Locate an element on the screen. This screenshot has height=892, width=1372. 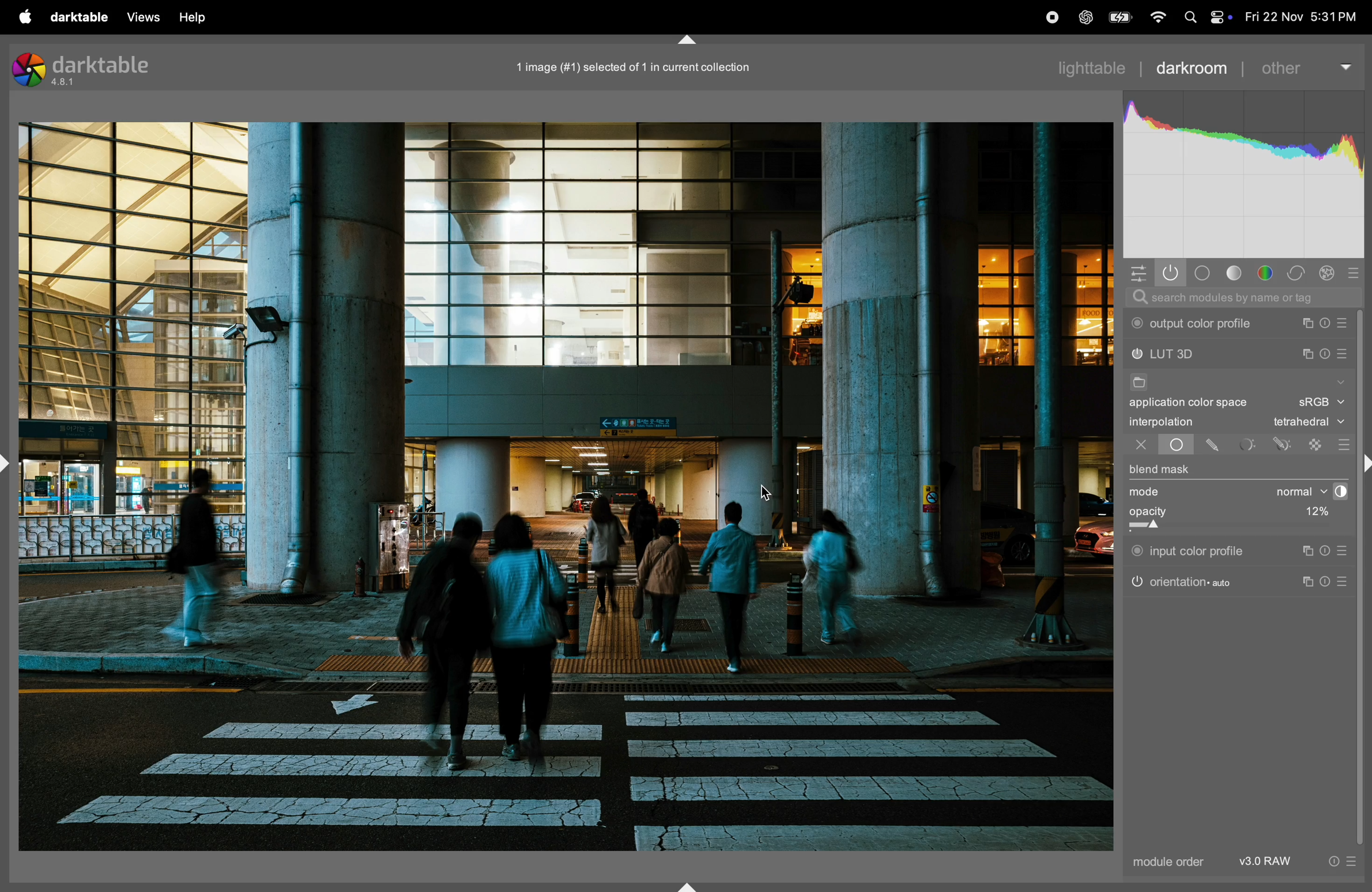
image is located at coordinates (627, 67).